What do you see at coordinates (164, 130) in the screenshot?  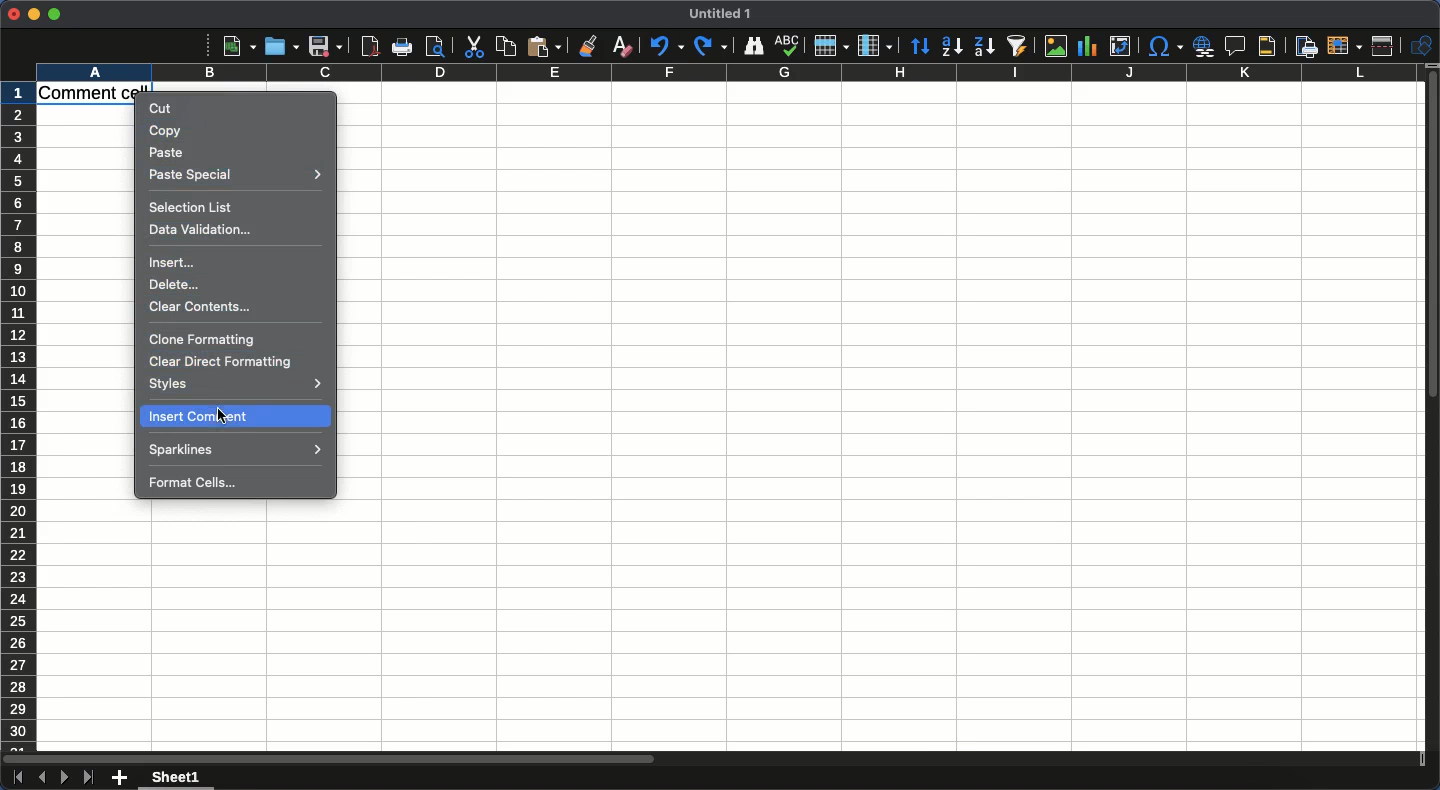 I see `Copy` at bounding box center [164, 130].